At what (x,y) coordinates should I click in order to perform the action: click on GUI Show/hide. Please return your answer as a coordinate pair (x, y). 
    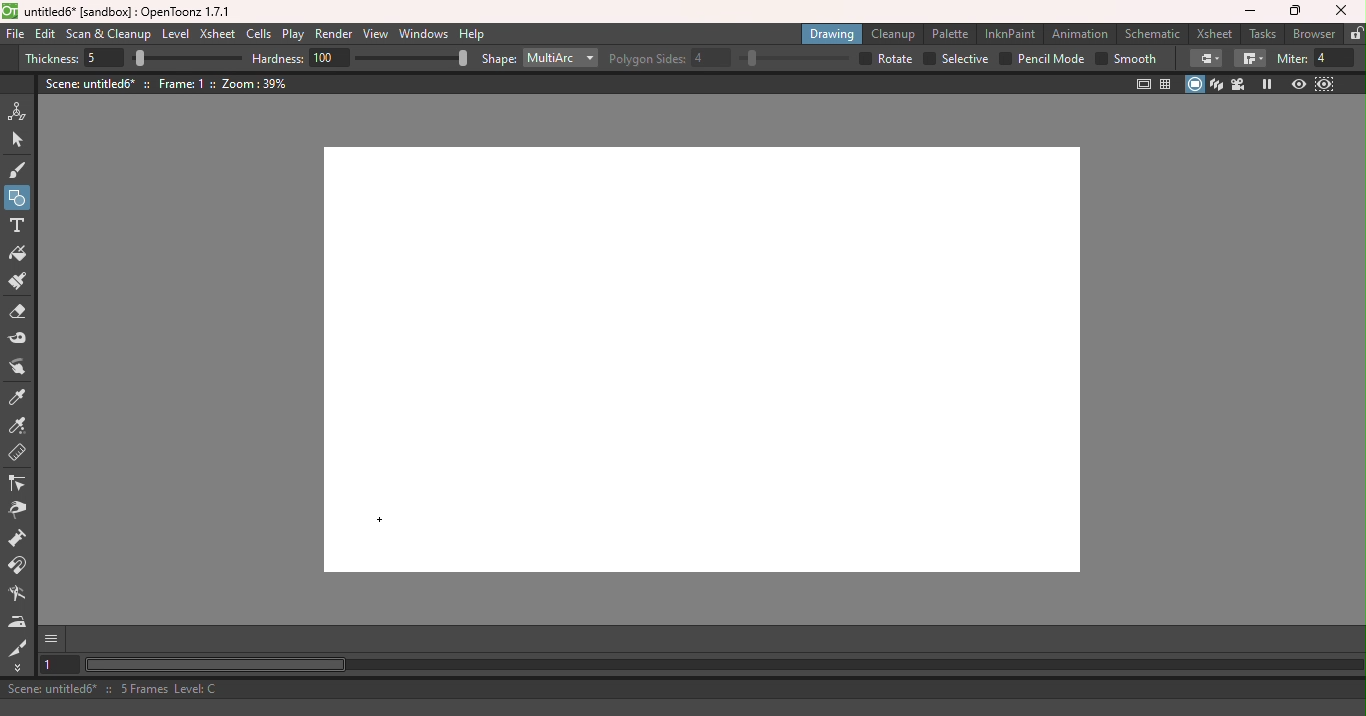
    Looking at the image, I should click on (53, 639).